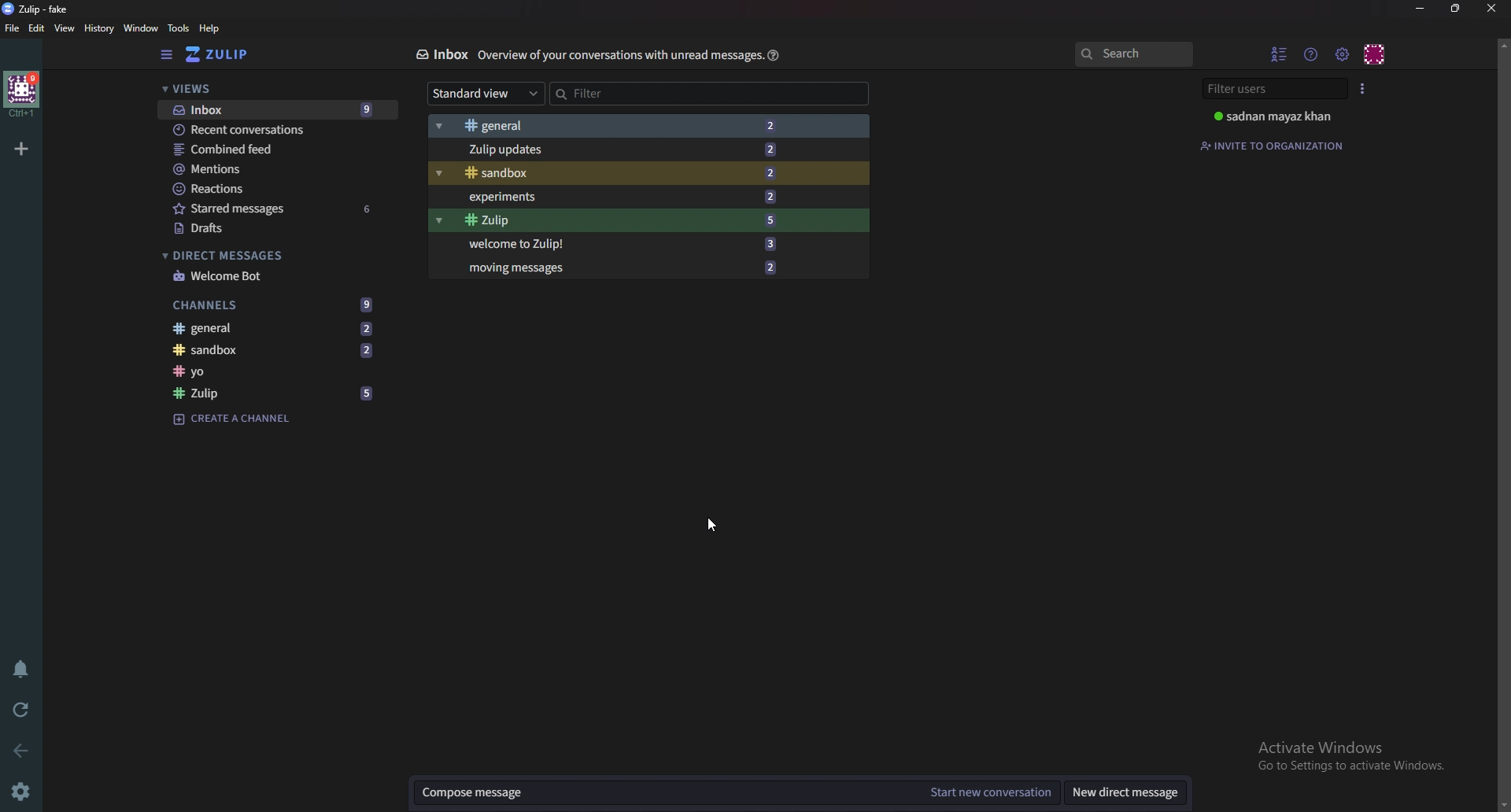 The height and width of the screenshot is (812, 1511). I want to click on zulip, so click(220, 55).